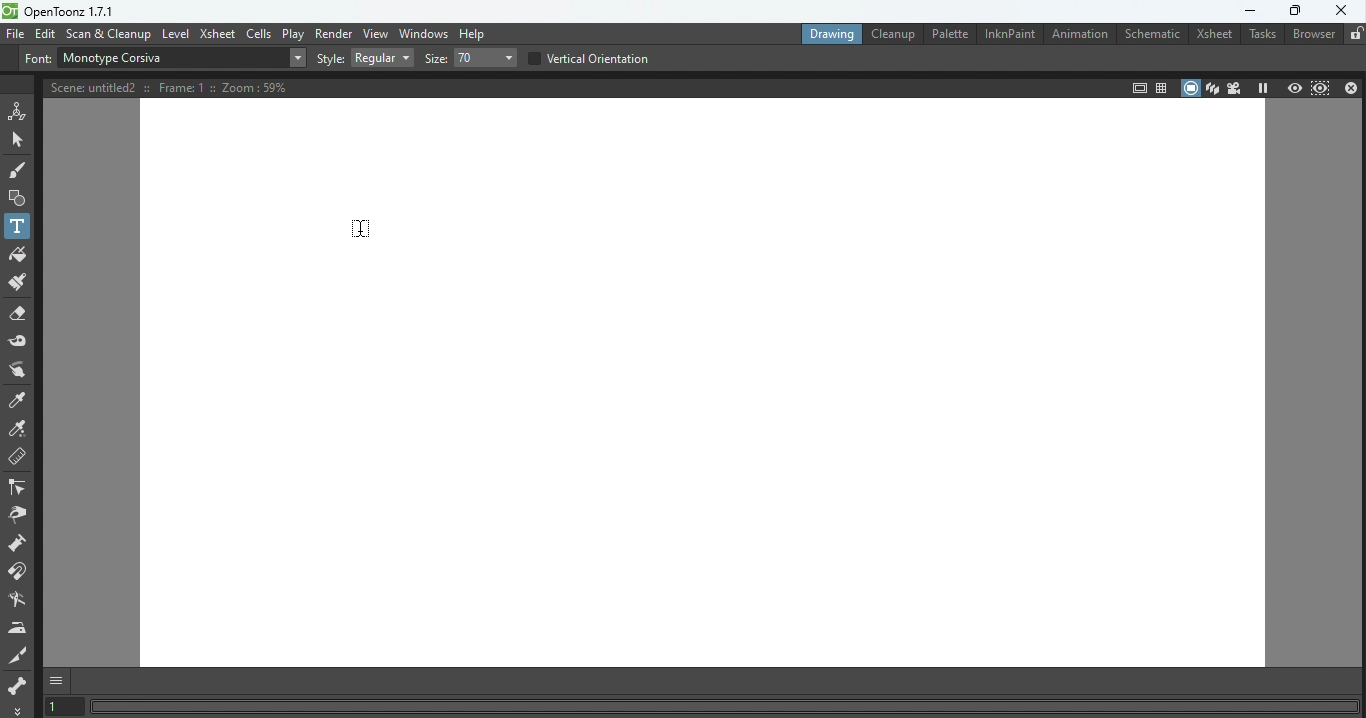 The height and width of the screenshot is (718, 1366). What do you see at coordinates (20, 340) in the screenshot?
I see `Tape tool` at bounding box center [20, 340].